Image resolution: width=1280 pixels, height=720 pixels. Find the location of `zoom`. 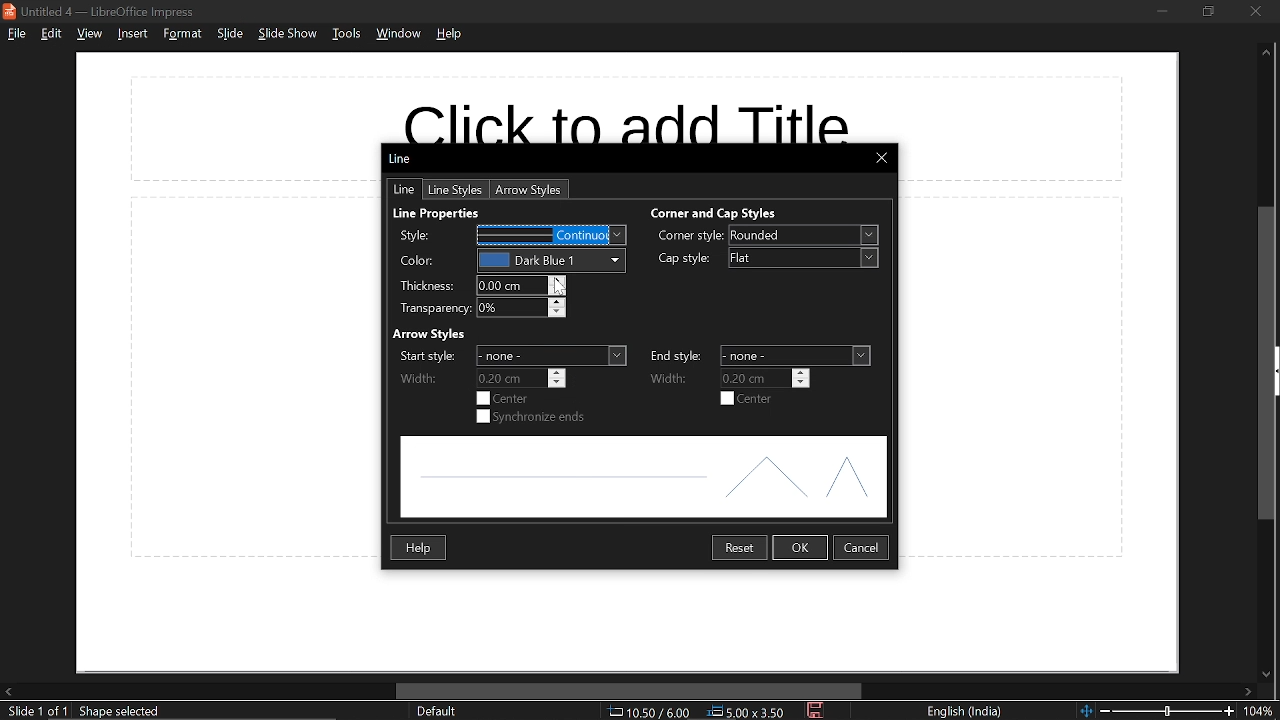

zoom is located at coordinates (1262, 712).